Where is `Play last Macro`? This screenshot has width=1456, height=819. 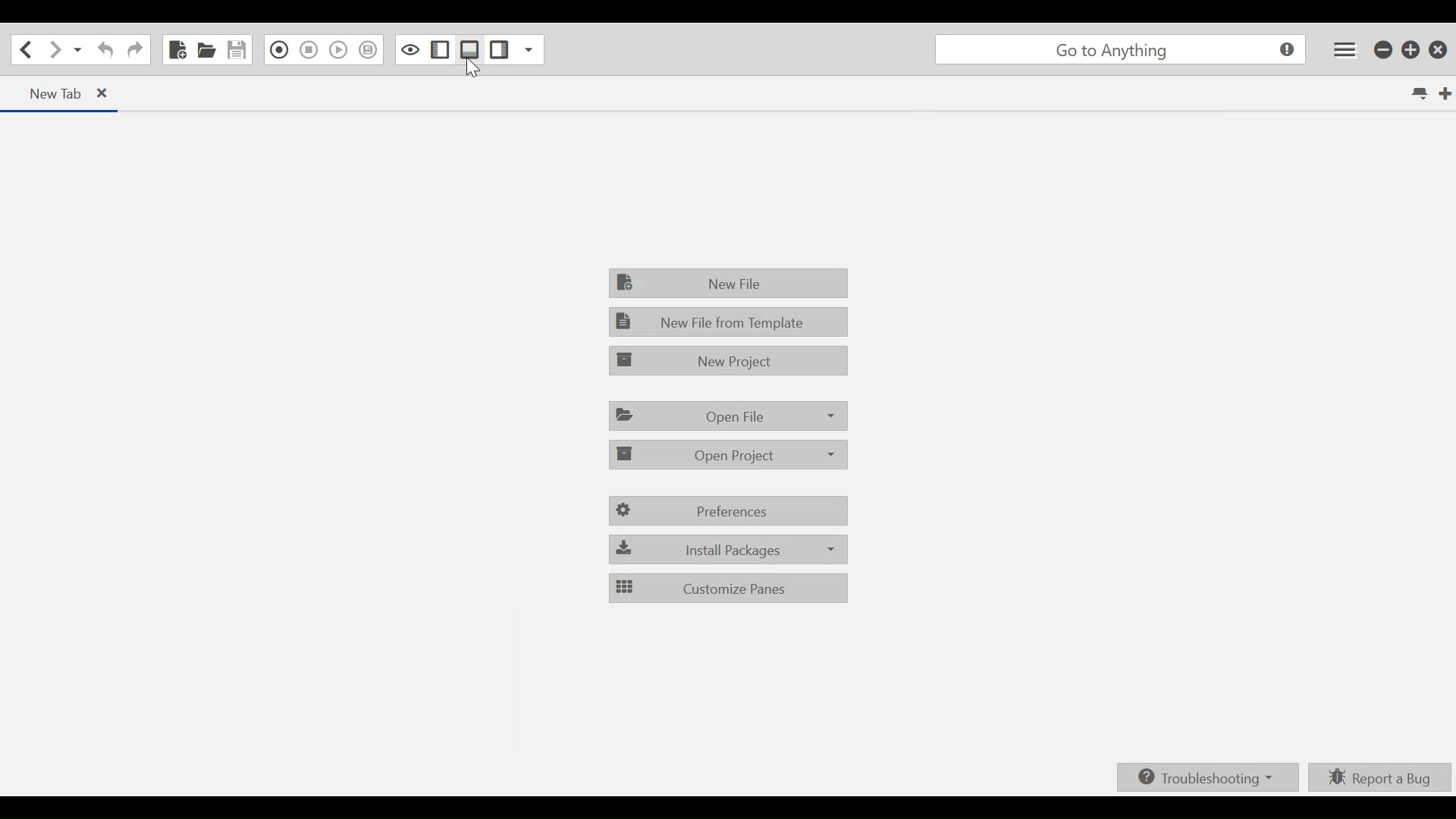
Play last Macro is located at coordinates (337, 50).